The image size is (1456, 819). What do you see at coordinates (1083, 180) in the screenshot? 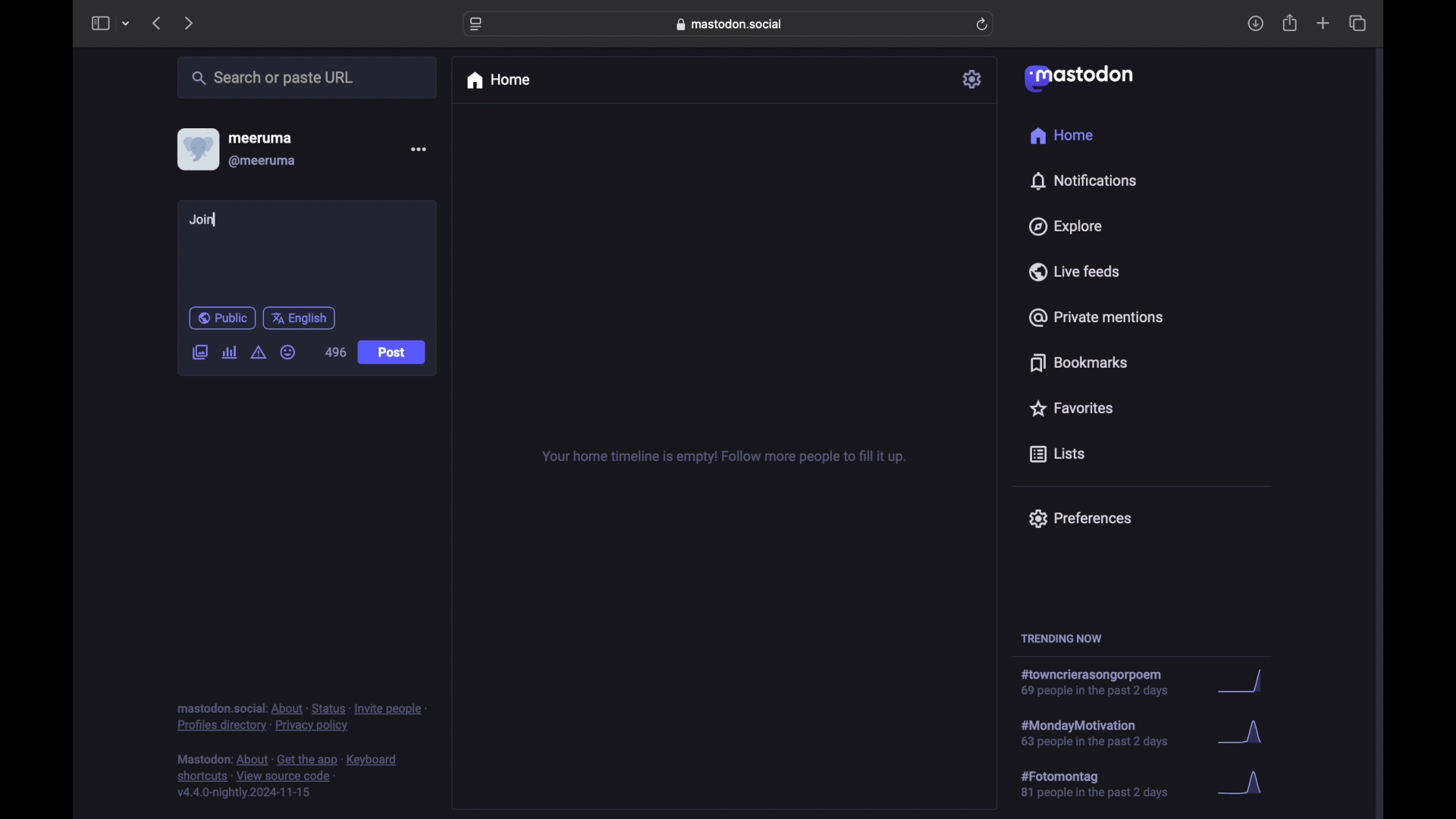
I see `notifications` at bounding box center [1083, 180].